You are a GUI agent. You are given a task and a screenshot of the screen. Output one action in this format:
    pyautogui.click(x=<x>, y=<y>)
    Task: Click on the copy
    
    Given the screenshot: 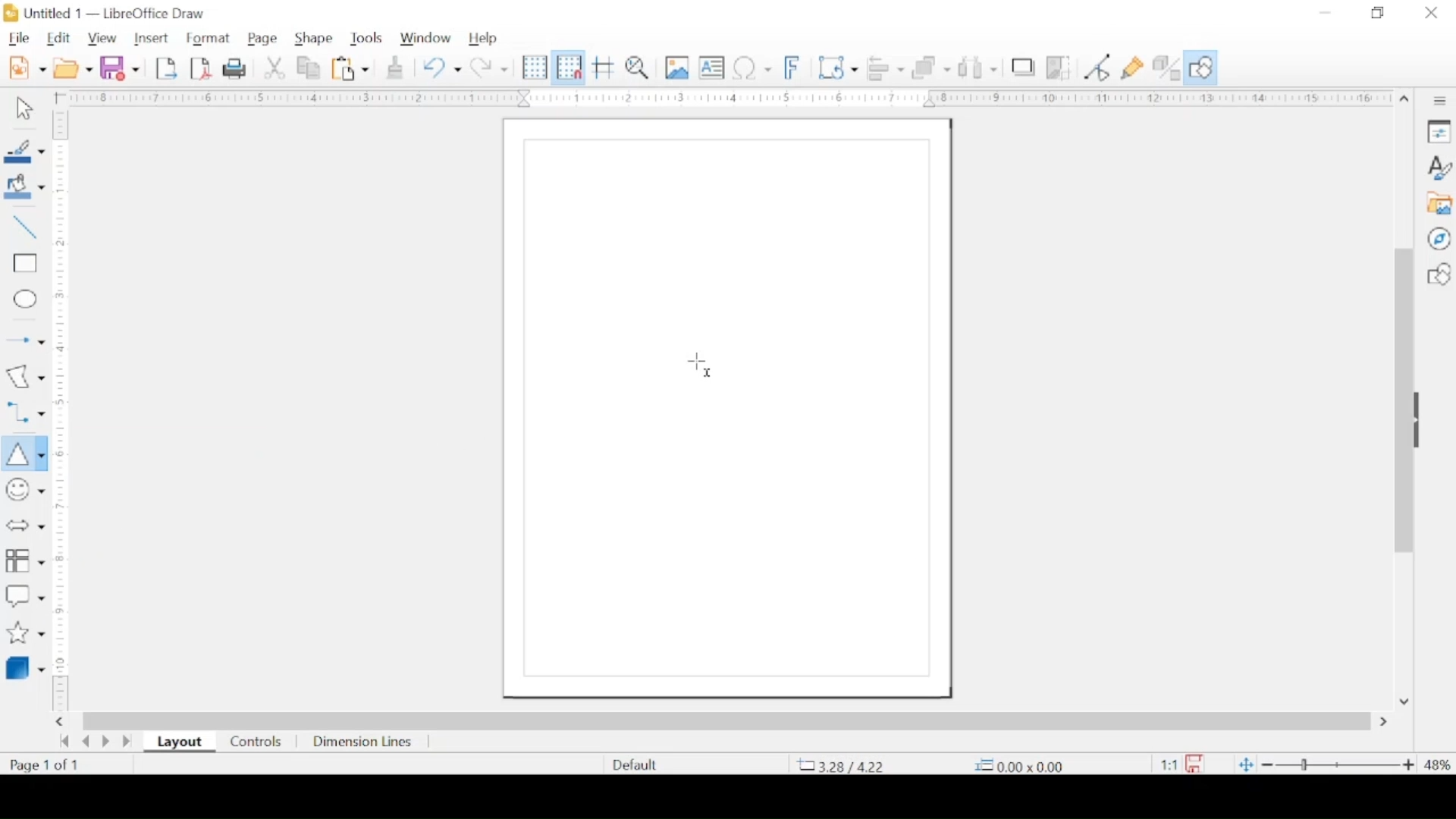 What is the action you would take?
    pyautogui.click(x=310, y=69)
    